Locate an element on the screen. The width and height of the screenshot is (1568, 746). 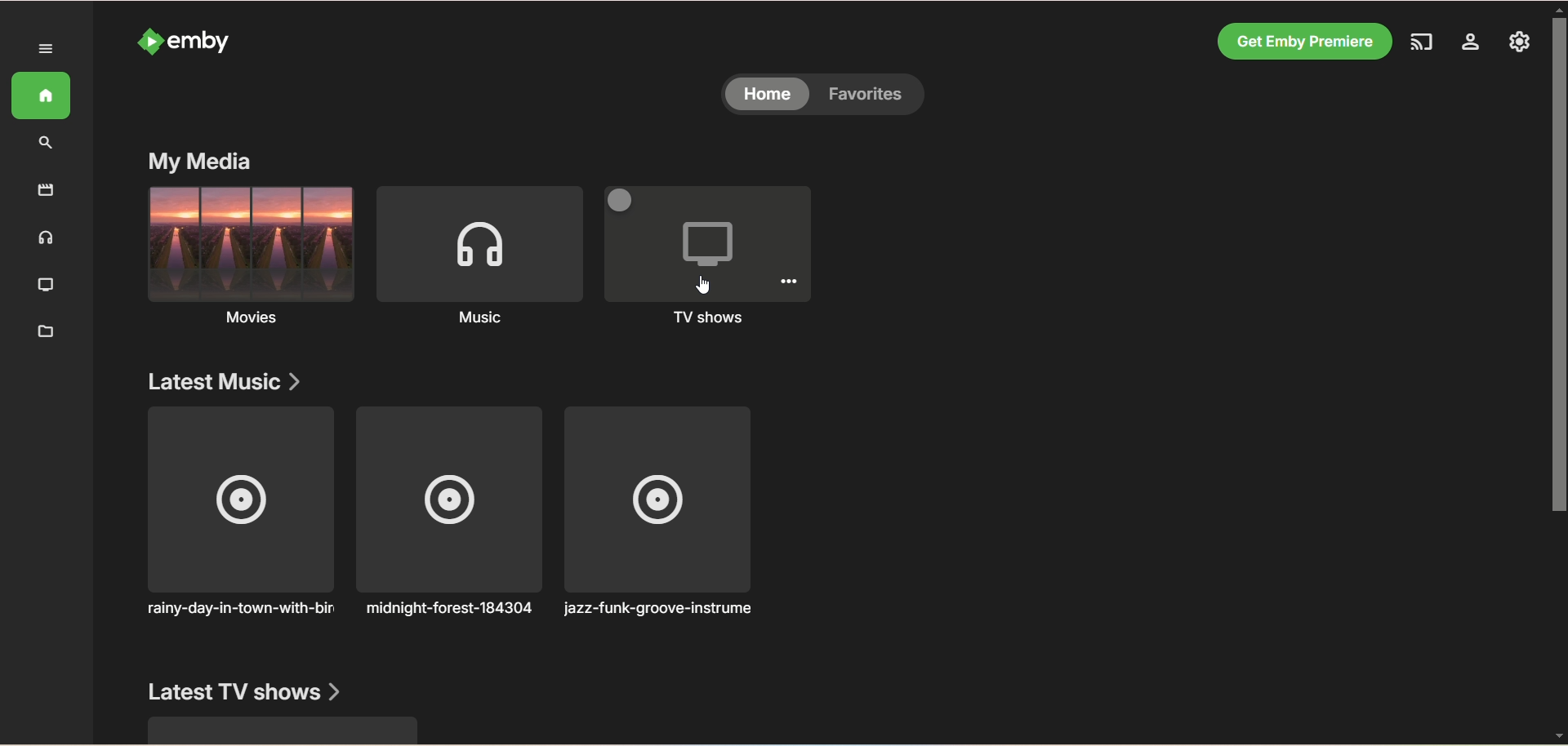
get emby premiere is located at coordinates (1306, 40).